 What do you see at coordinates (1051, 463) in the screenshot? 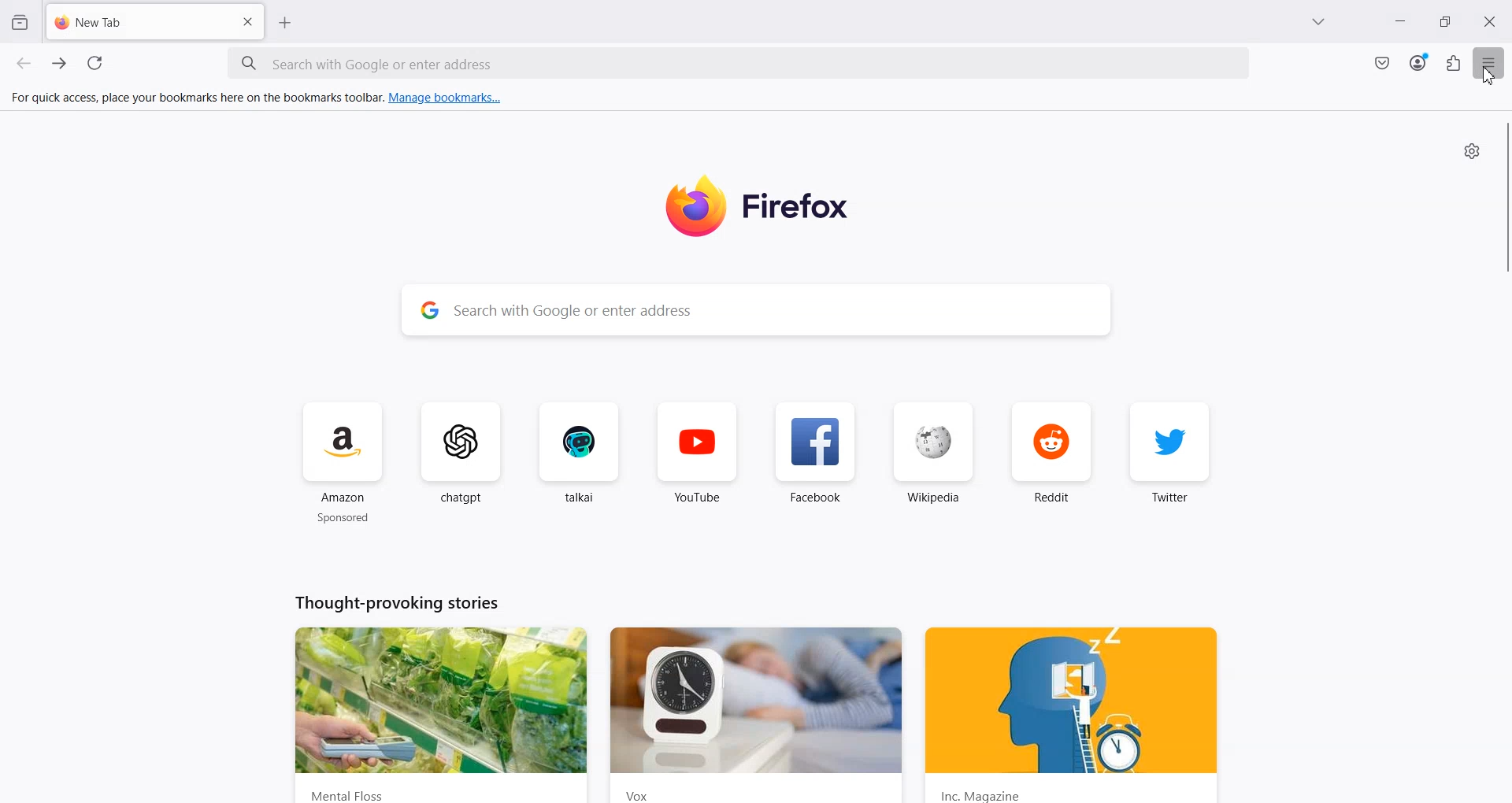
I see `Reddit` at bounding box center [1051, 463].